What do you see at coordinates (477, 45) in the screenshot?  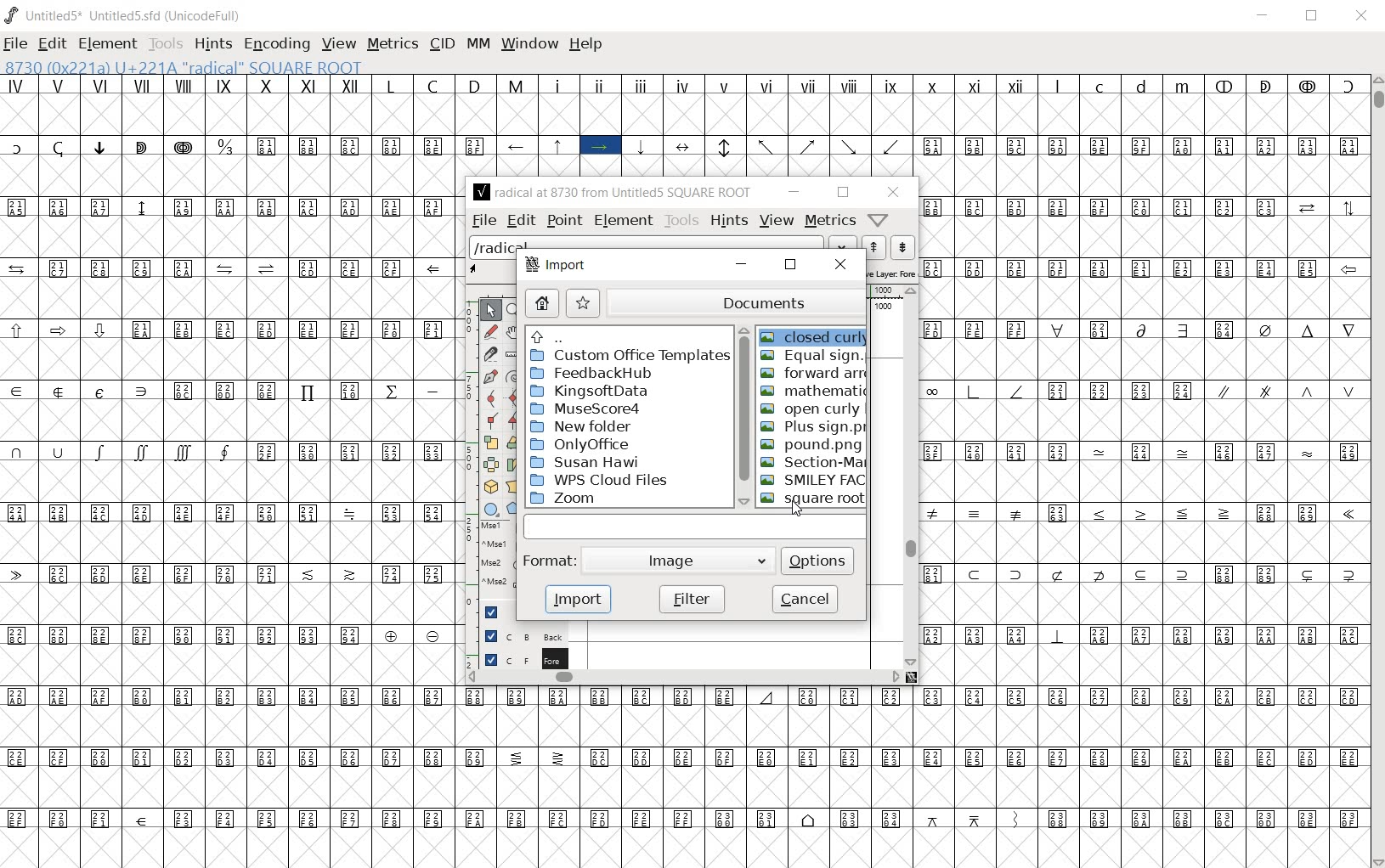 I see `MM` at bounding box center [477, 45].